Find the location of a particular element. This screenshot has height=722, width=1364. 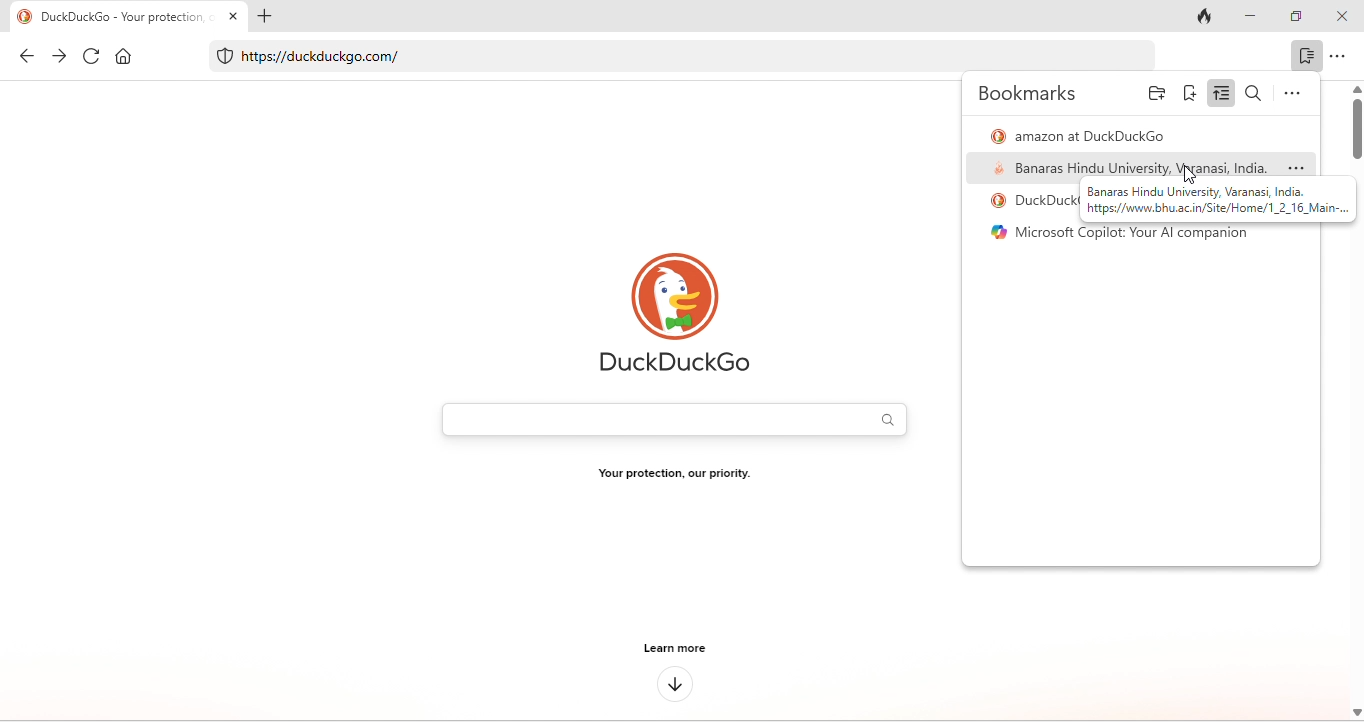

minimize is located at coordinates (1249, 17).